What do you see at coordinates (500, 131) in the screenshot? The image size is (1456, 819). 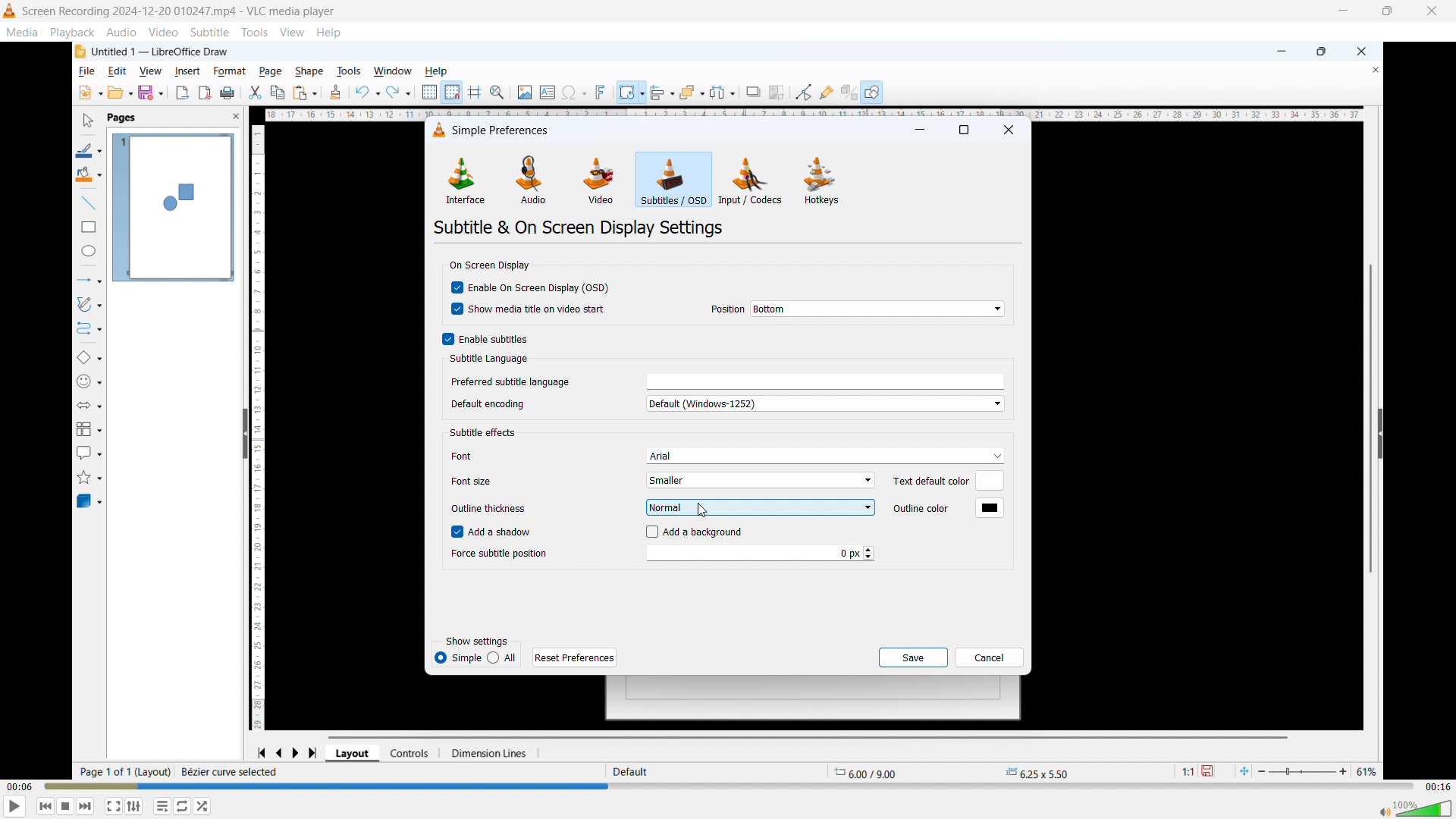 I see `Simple preferences dialogue box ` at bounding box center [500, 131].